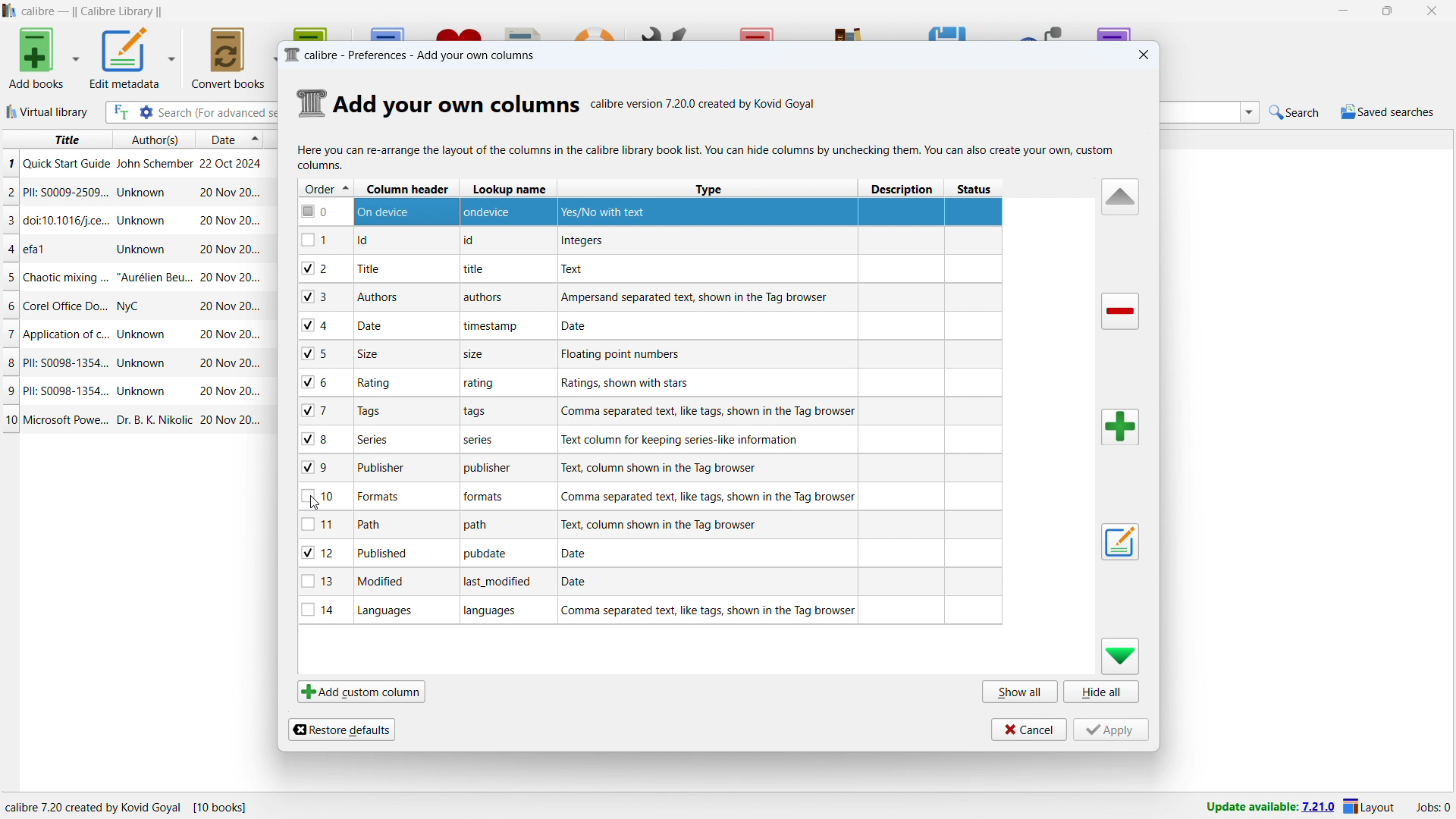 The width and height of the screenshot is (1456, 819). Describe the element at coordinates (138, 805) in the screenshot. I see `calibre 7.20 created by Kovid goyal (10 books)` at that location.